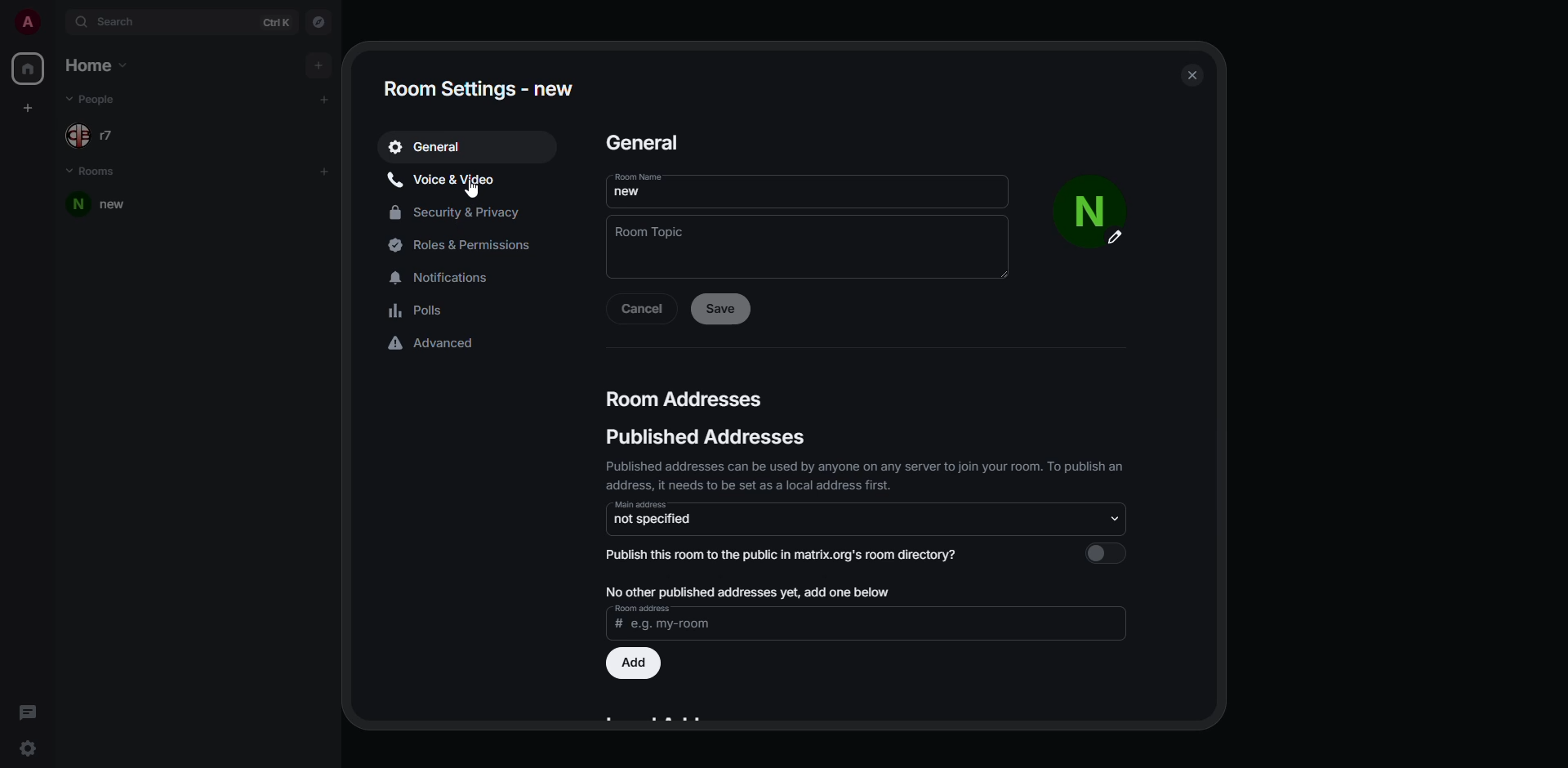  Describe the element at coordinates (645, 307) in the screenshot. I see `cancel` at that location.